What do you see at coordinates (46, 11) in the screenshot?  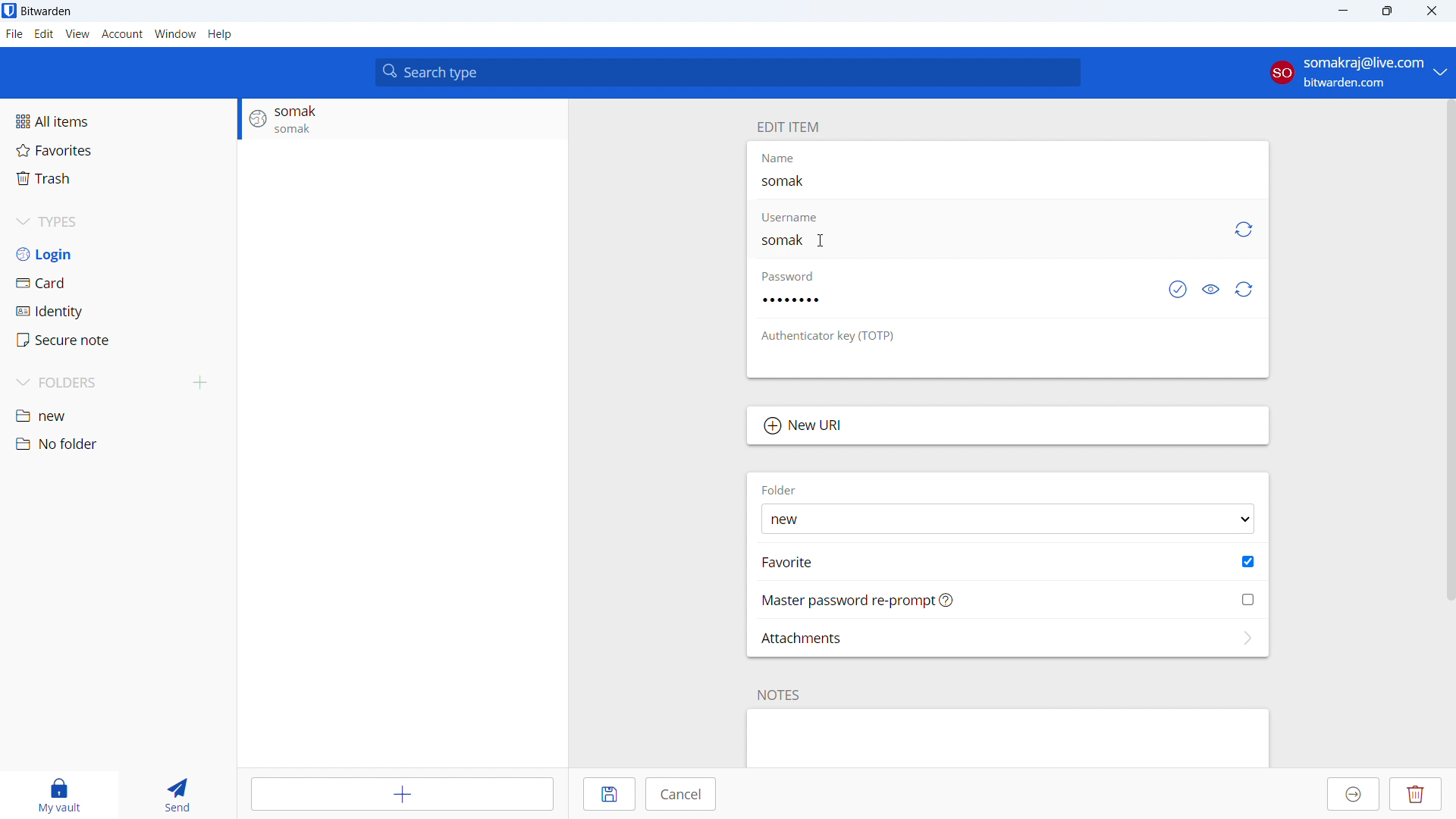 I see `title` at bounding box center [46, 11].